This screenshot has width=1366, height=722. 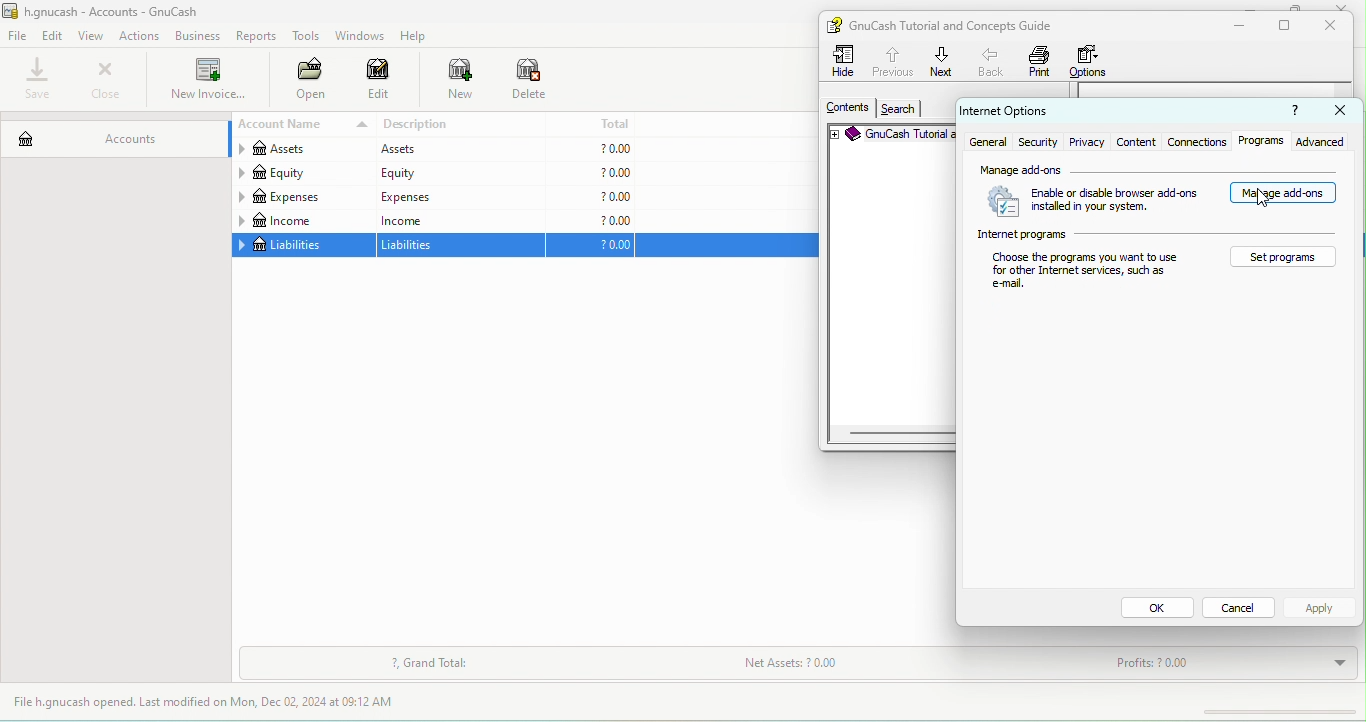 I want to click on gnu cash tutorial and concepts guide, so click(x=959, y=25).